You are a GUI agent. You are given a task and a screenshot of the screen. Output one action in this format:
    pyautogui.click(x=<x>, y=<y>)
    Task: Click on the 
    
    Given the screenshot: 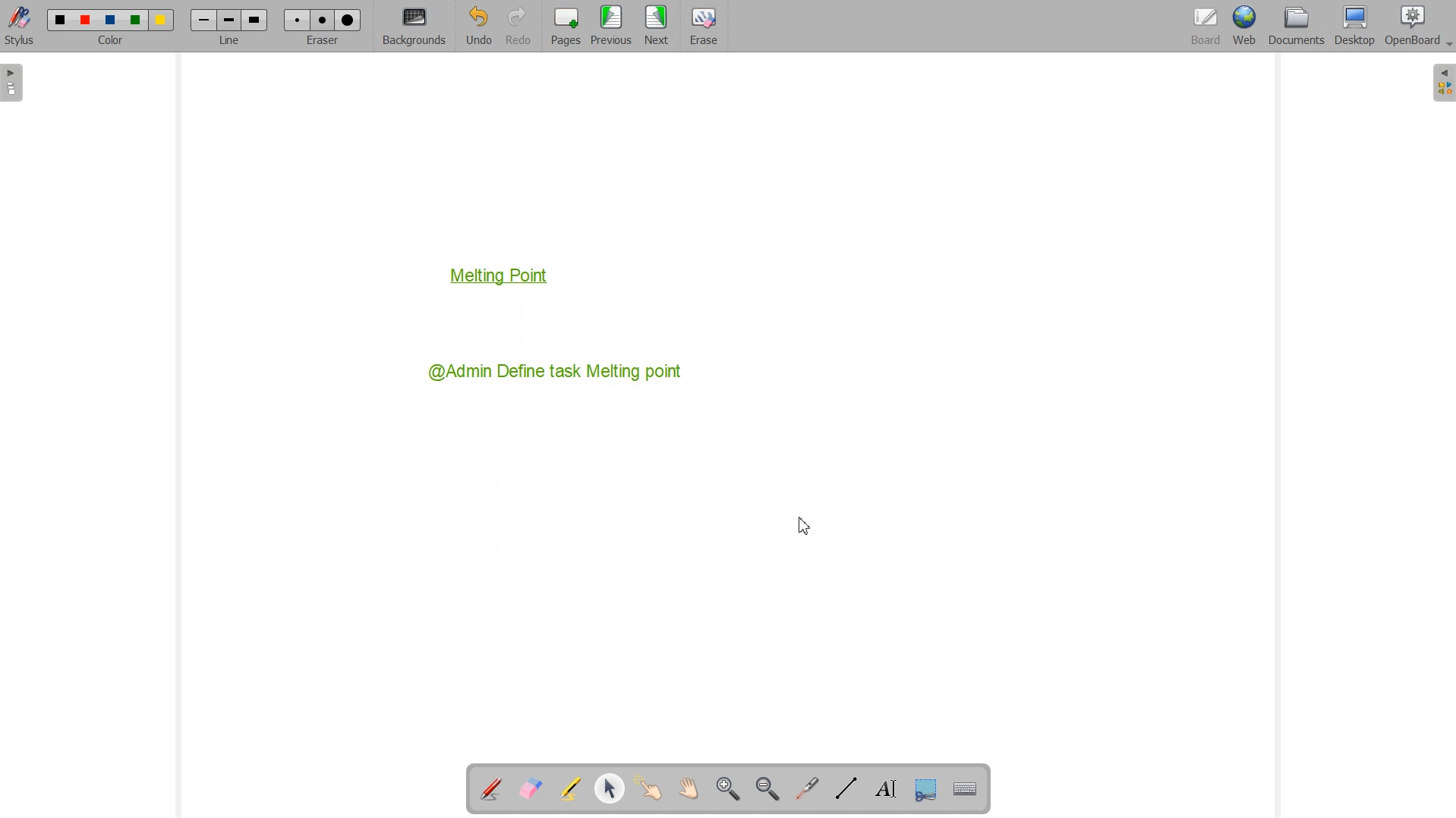 What is the action you would take?
    pyautogui.click(x=611, y=27)
    